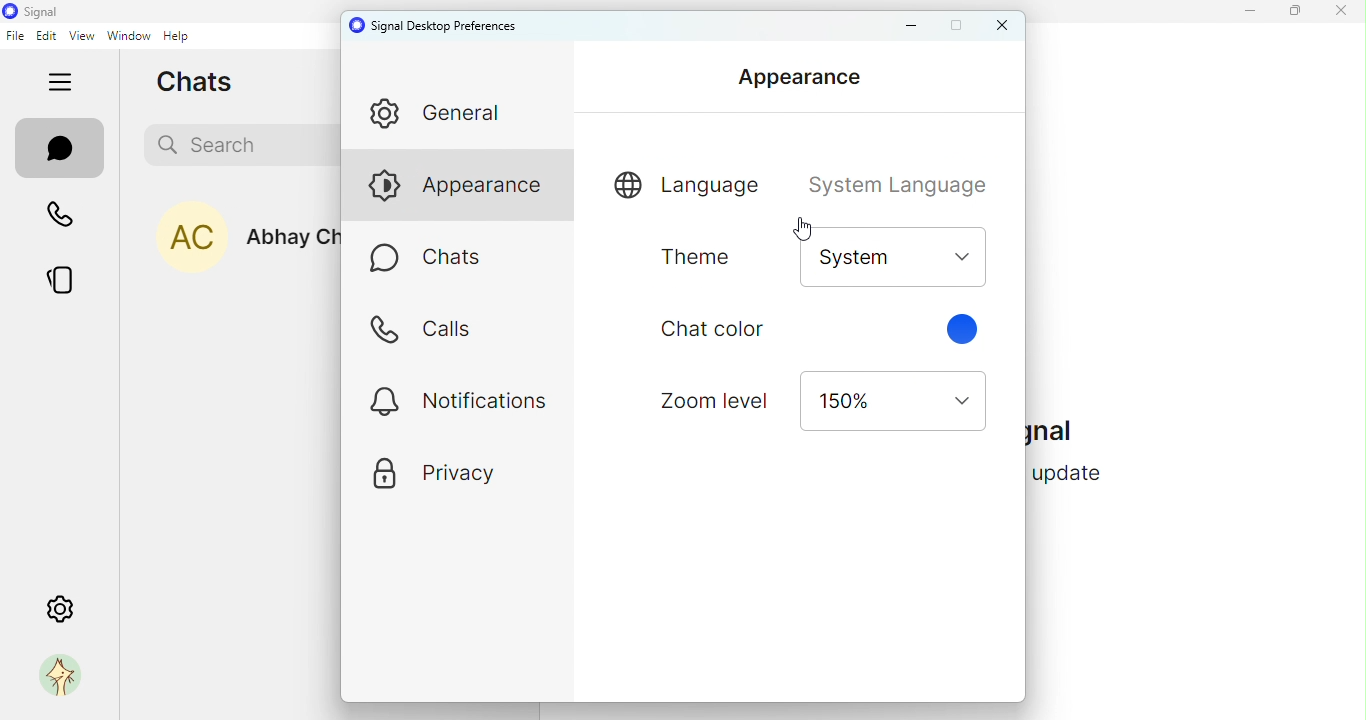 This screenshot has height=720, width=1366. Describe the element at coordinates (692, 263) in the screenshot. I see `Theme` at that location.